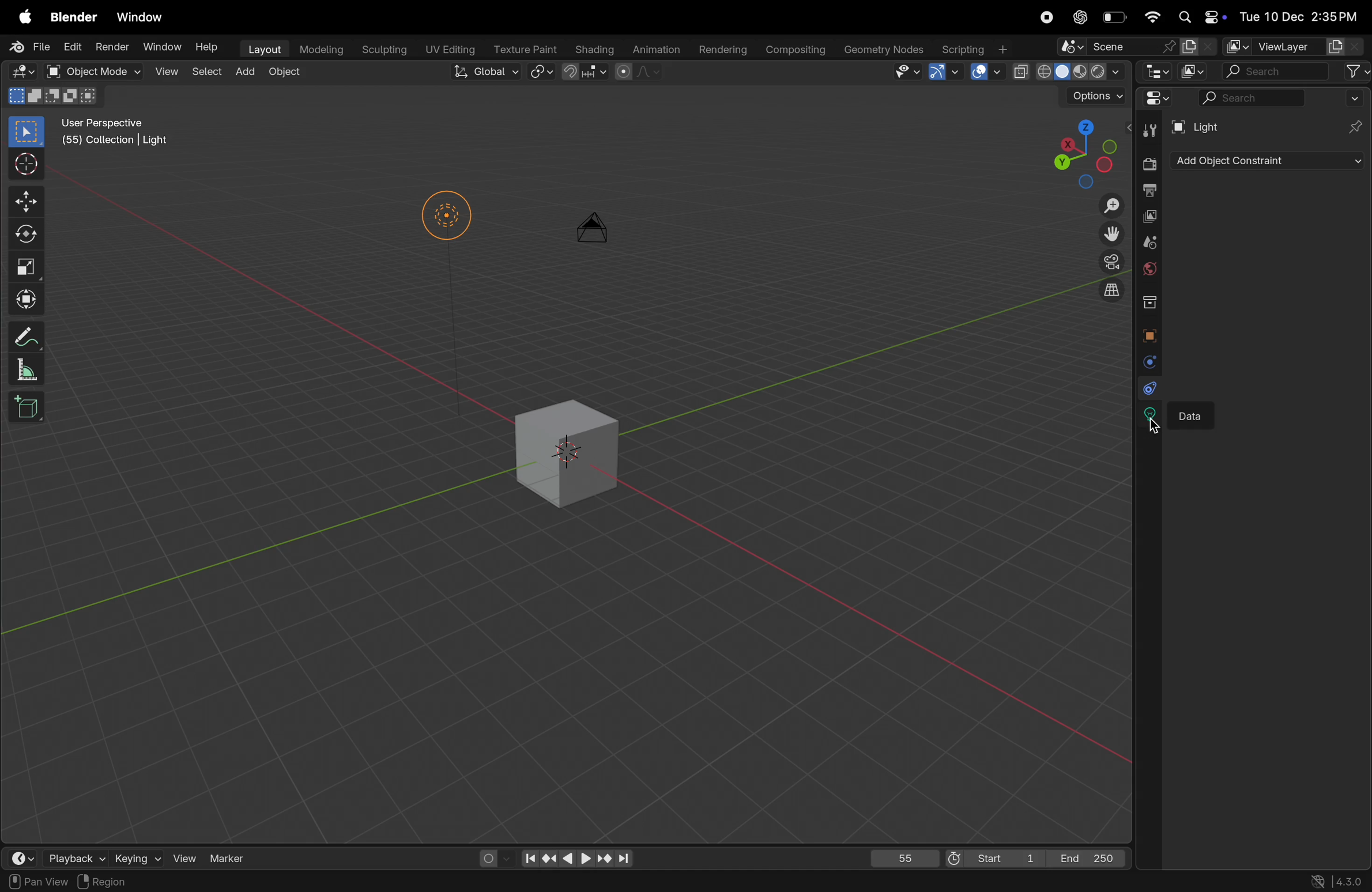 The image size is (1372, 892). I want to click on search, so click(1277, 71).